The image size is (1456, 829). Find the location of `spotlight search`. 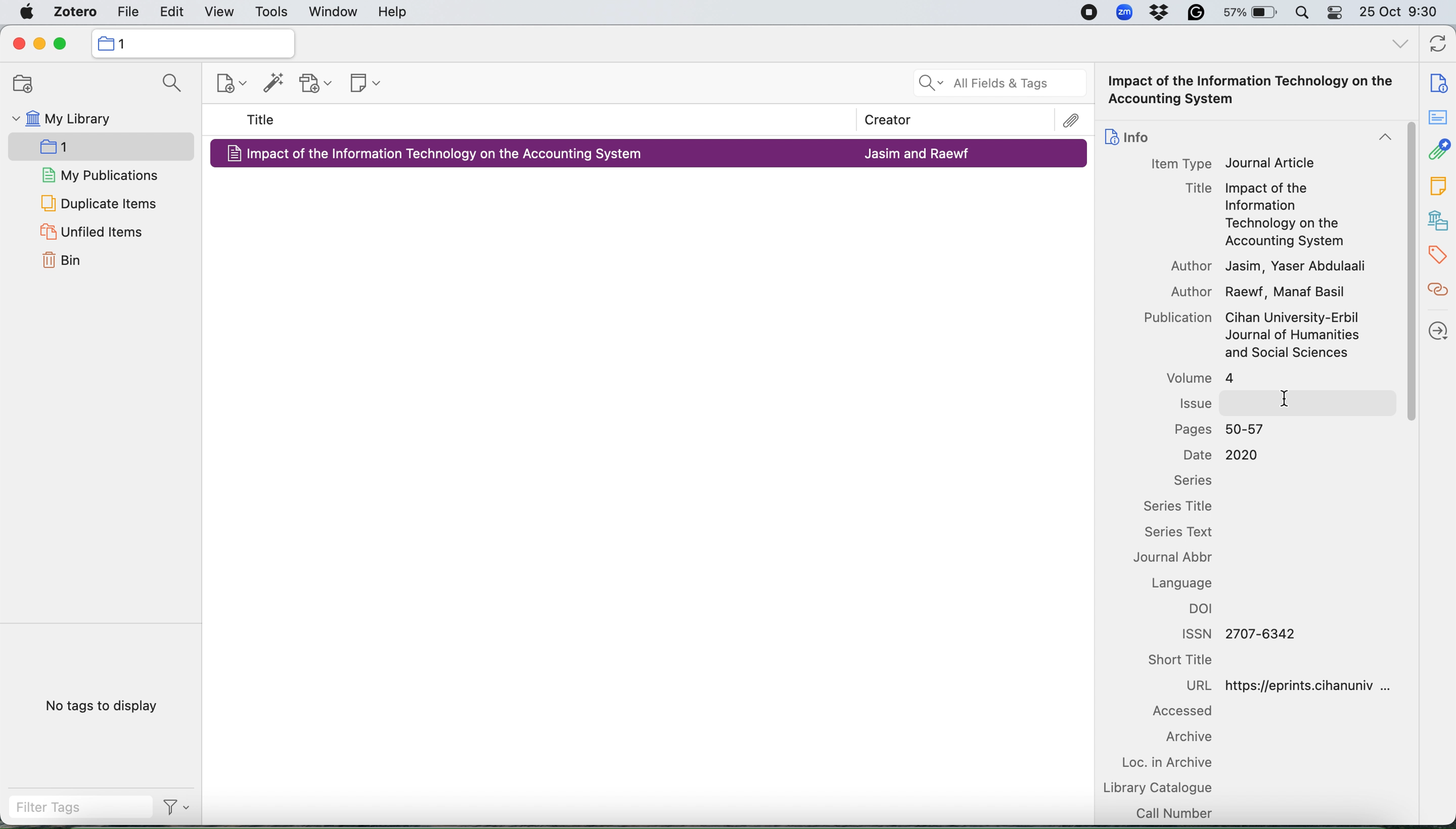

spotlight search is located at coordinates (1302, 13).